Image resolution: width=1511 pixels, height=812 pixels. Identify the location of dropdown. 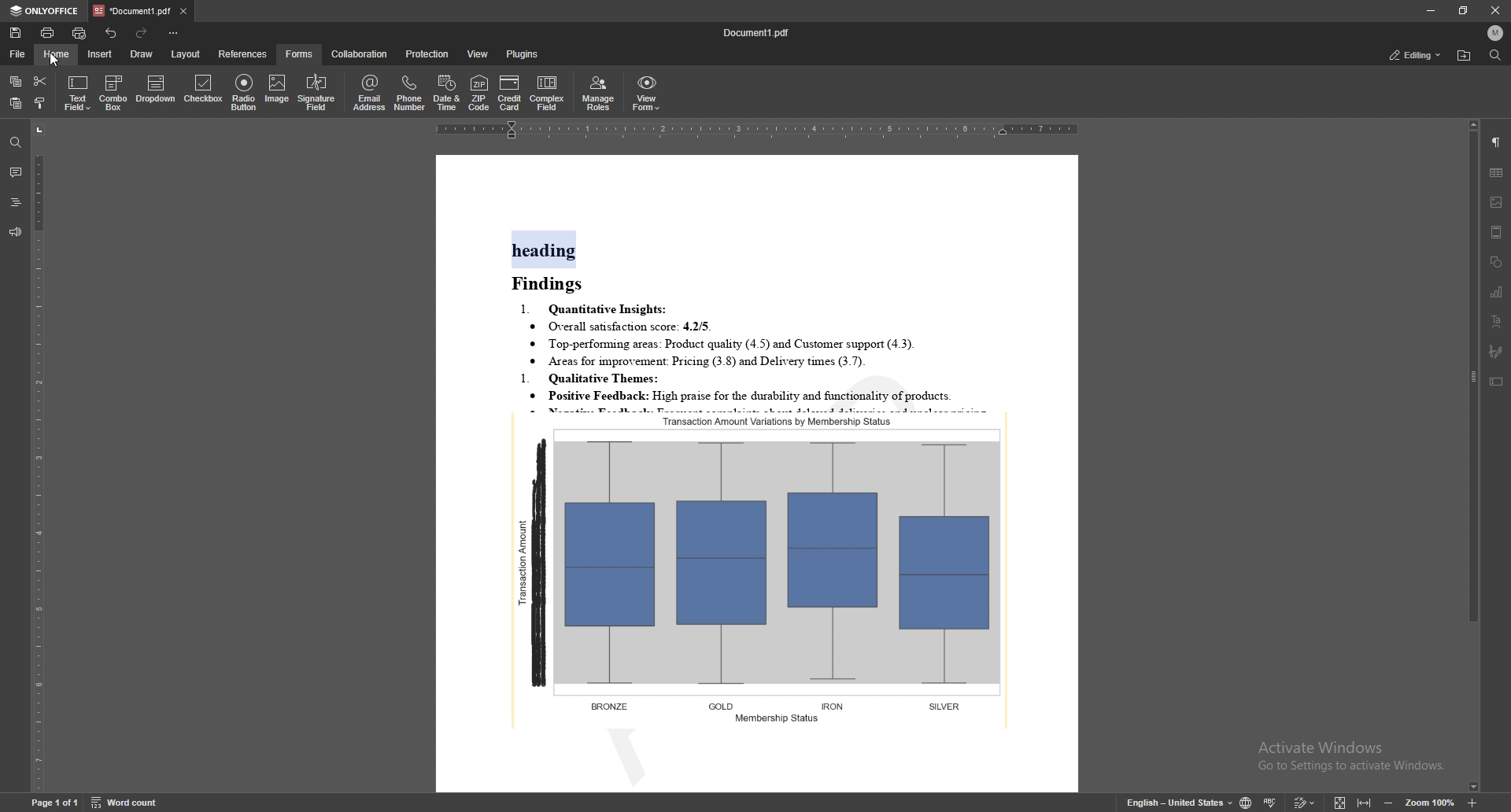
(157, 91).